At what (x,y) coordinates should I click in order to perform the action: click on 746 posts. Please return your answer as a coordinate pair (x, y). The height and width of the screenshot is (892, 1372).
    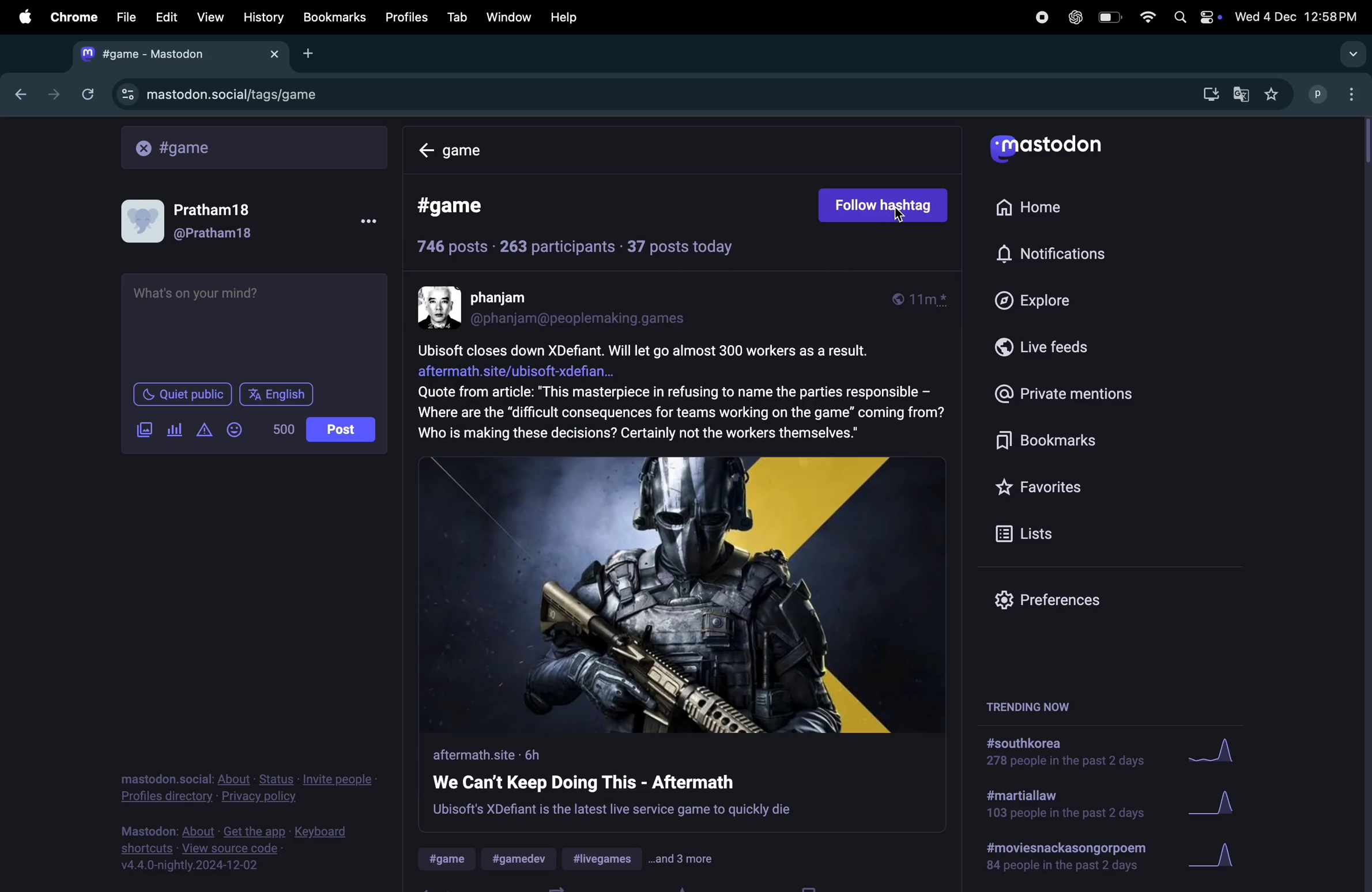
    Looking at the image, I should click on (453, 247).